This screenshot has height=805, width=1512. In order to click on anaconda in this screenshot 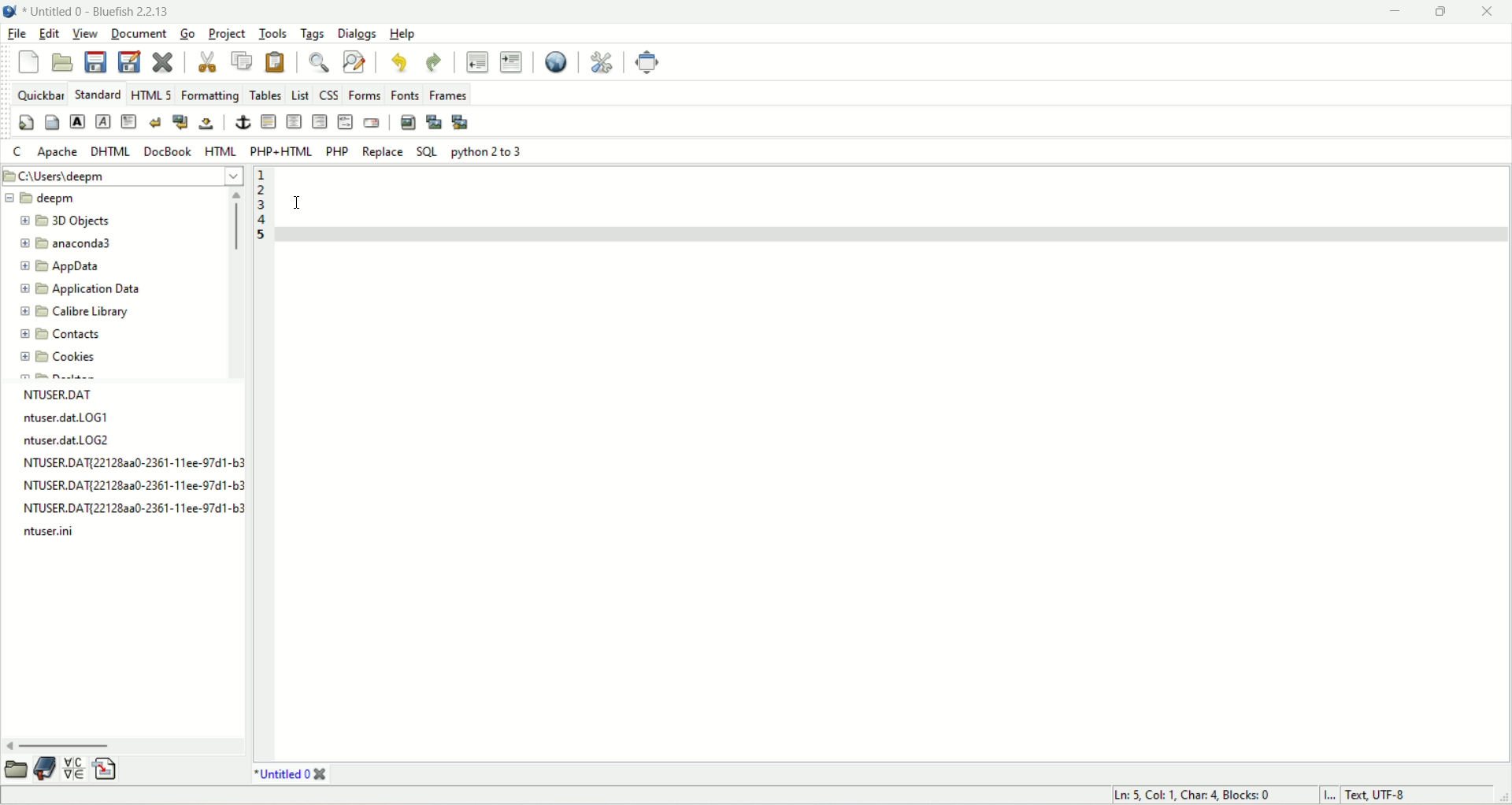, I will do `click(69, 243)`.